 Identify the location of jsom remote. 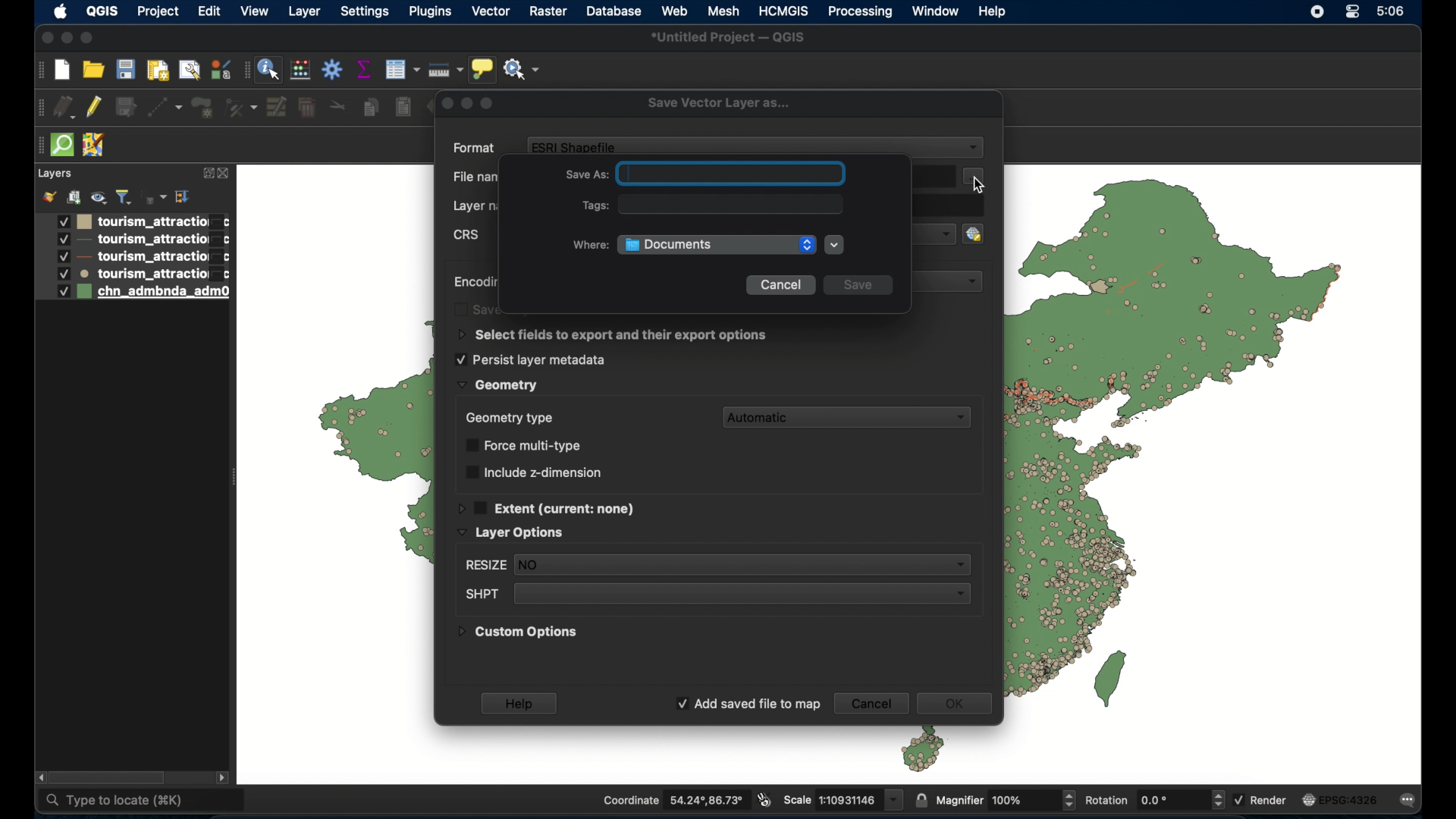
(95, 146).